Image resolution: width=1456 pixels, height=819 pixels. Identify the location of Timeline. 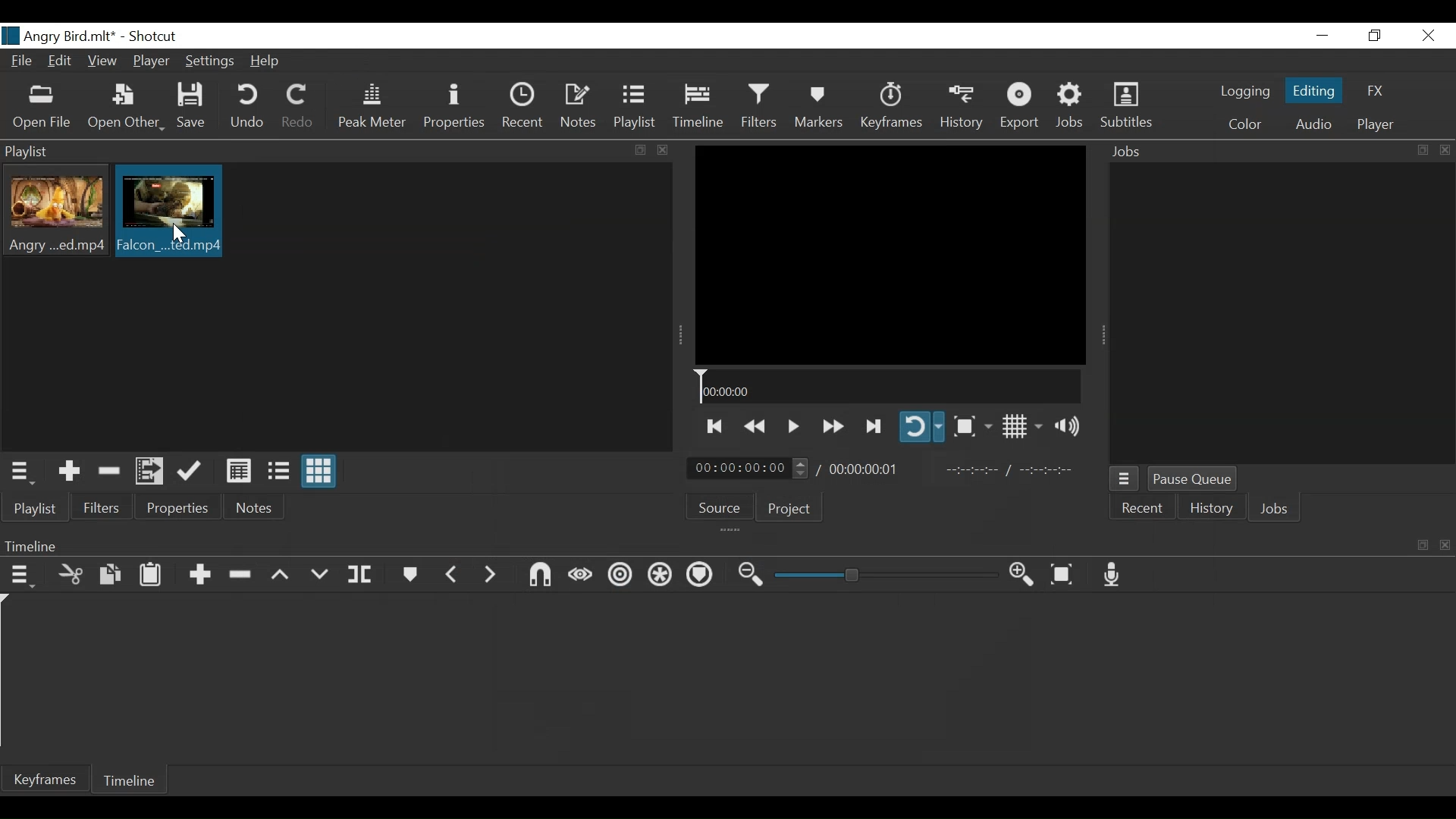
(124, 782).